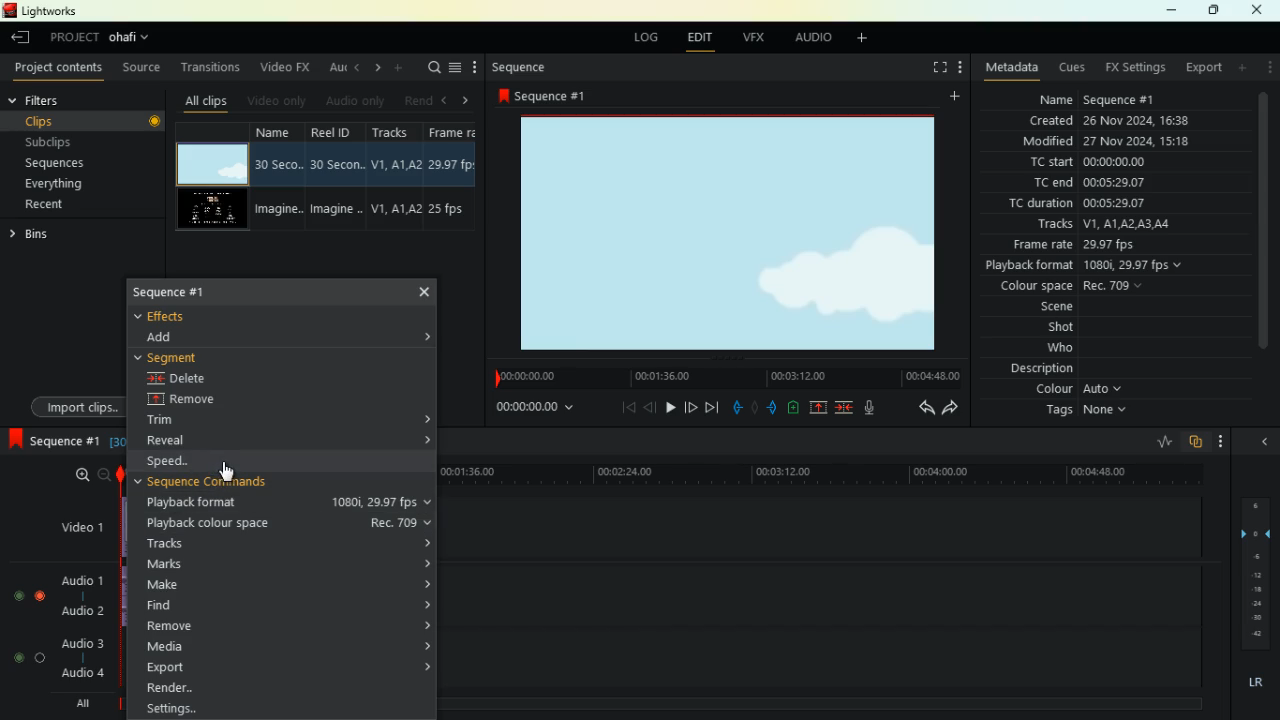 This screenshot has height=720, width=1280. Describe the element at coordinates (46, 234) in the screenshot. I see `bins` at that location.